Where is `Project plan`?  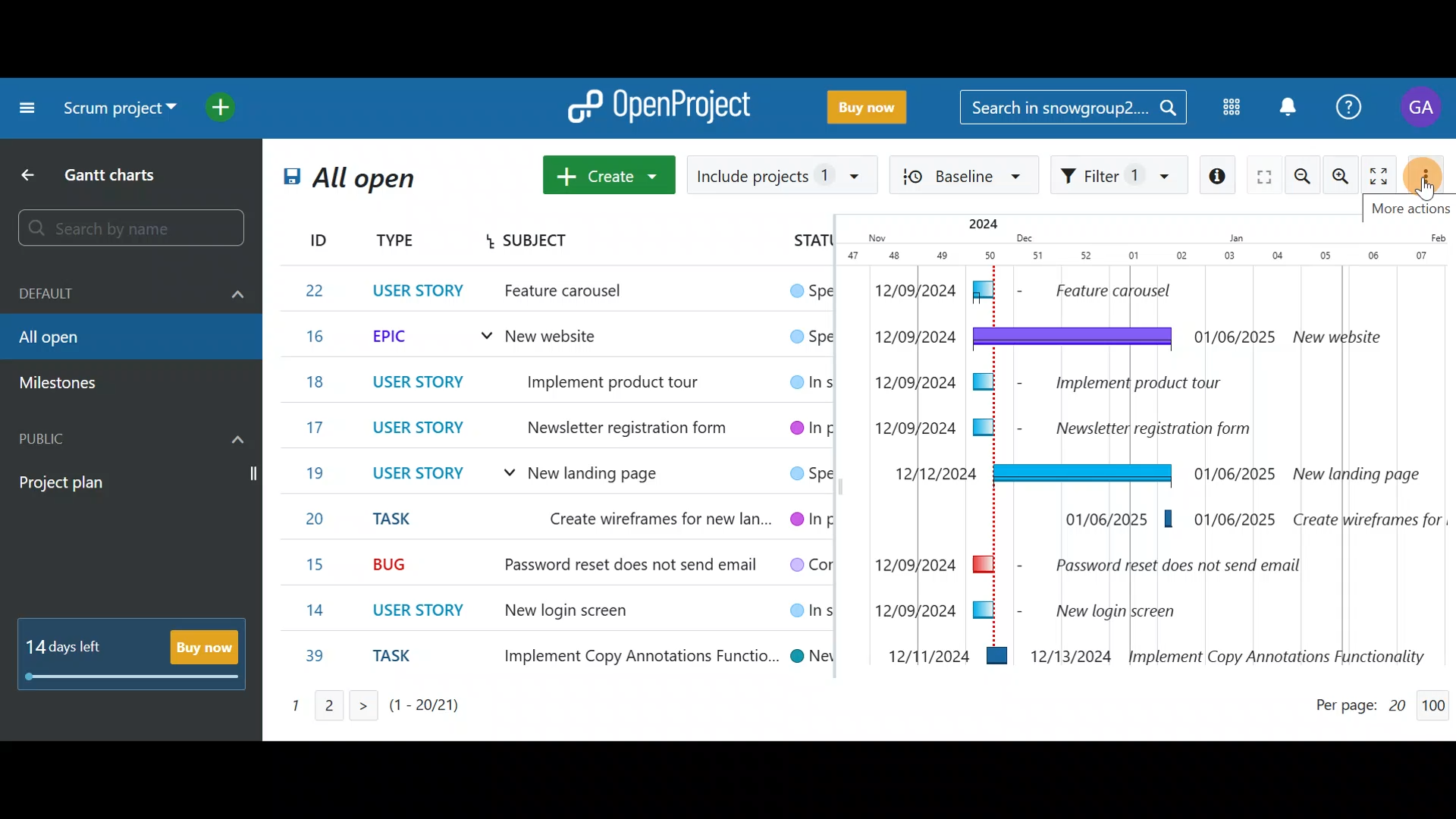
Project plan is located at coordinates (133, 483).